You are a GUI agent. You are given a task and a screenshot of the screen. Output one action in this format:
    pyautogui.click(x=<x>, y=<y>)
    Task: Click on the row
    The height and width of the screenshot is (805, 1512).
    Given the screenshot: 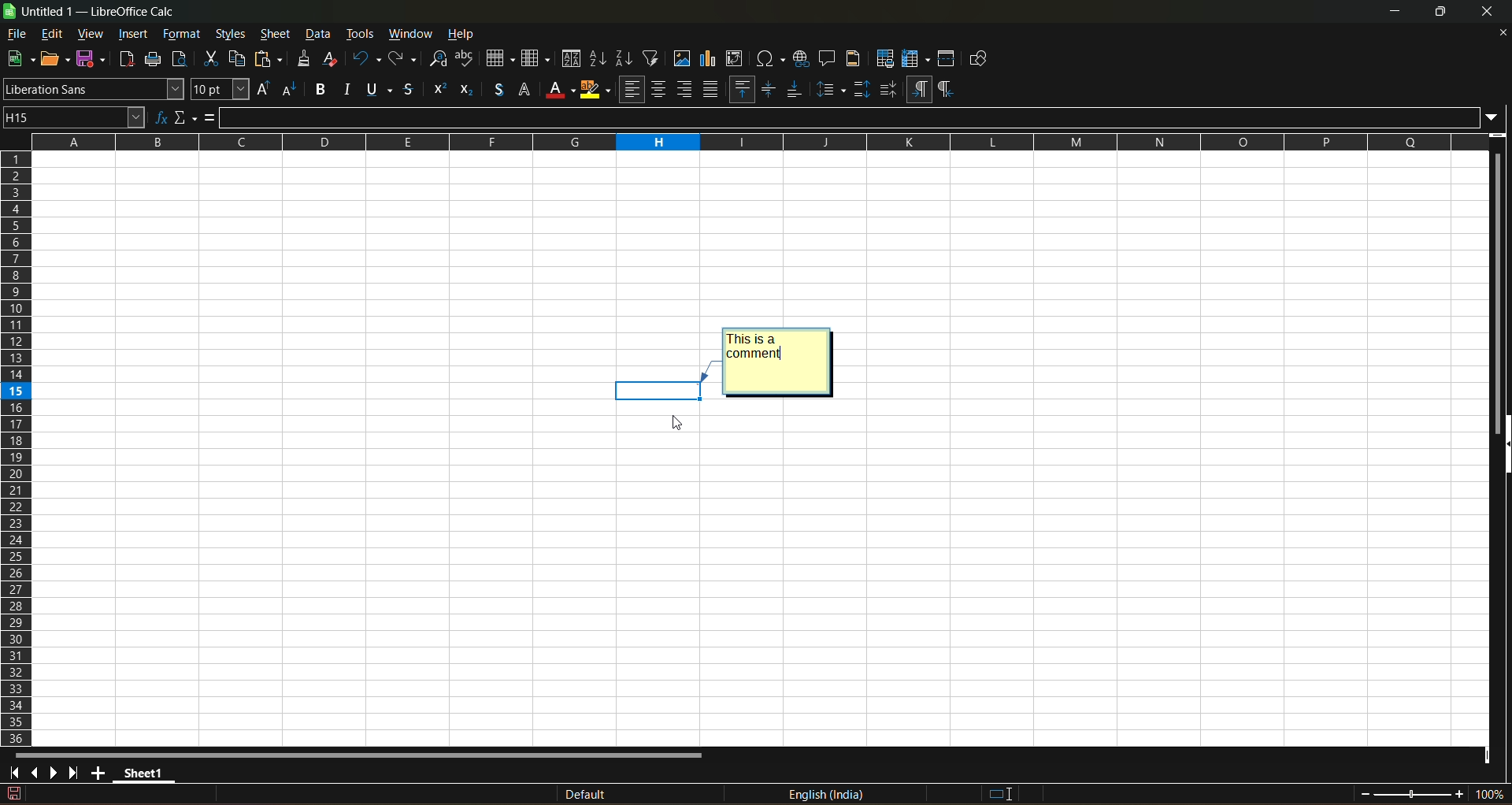 What is the action you would take?
    pyautogui.click(x=501, y=57)
    